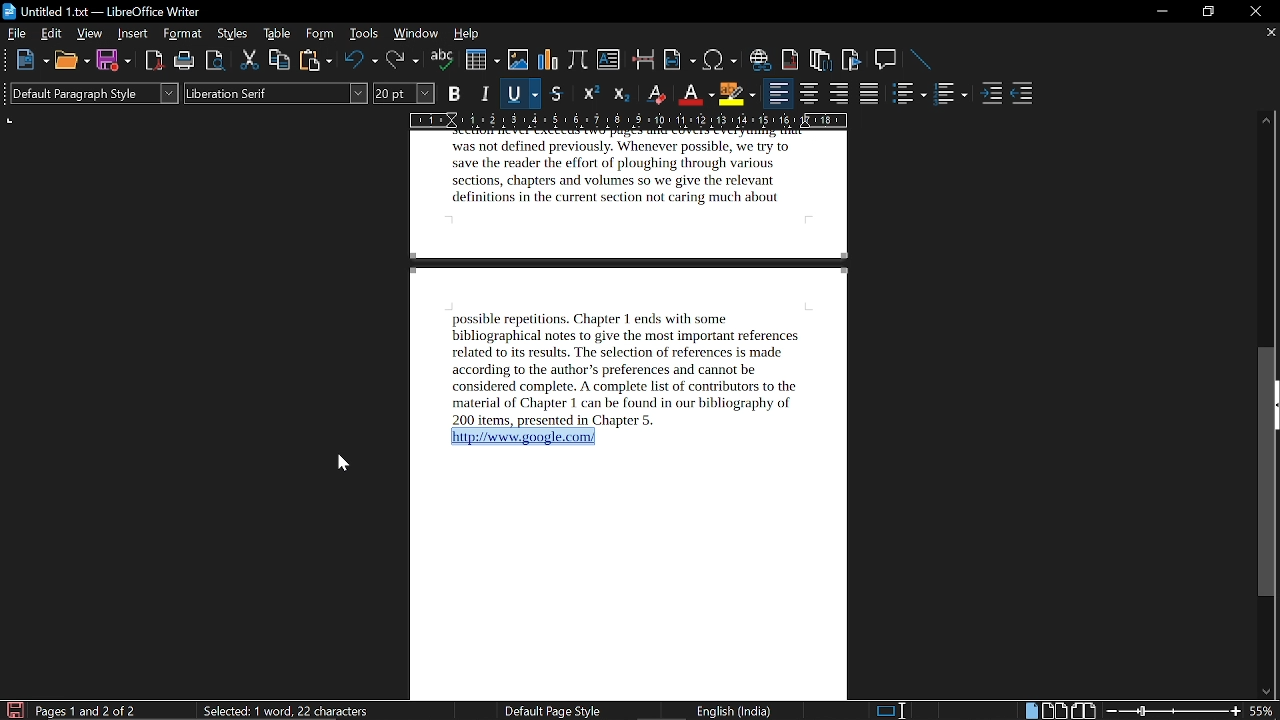 This screenshot has width=1280, height=720. I want to click on current zoom, so click(1265, 712).